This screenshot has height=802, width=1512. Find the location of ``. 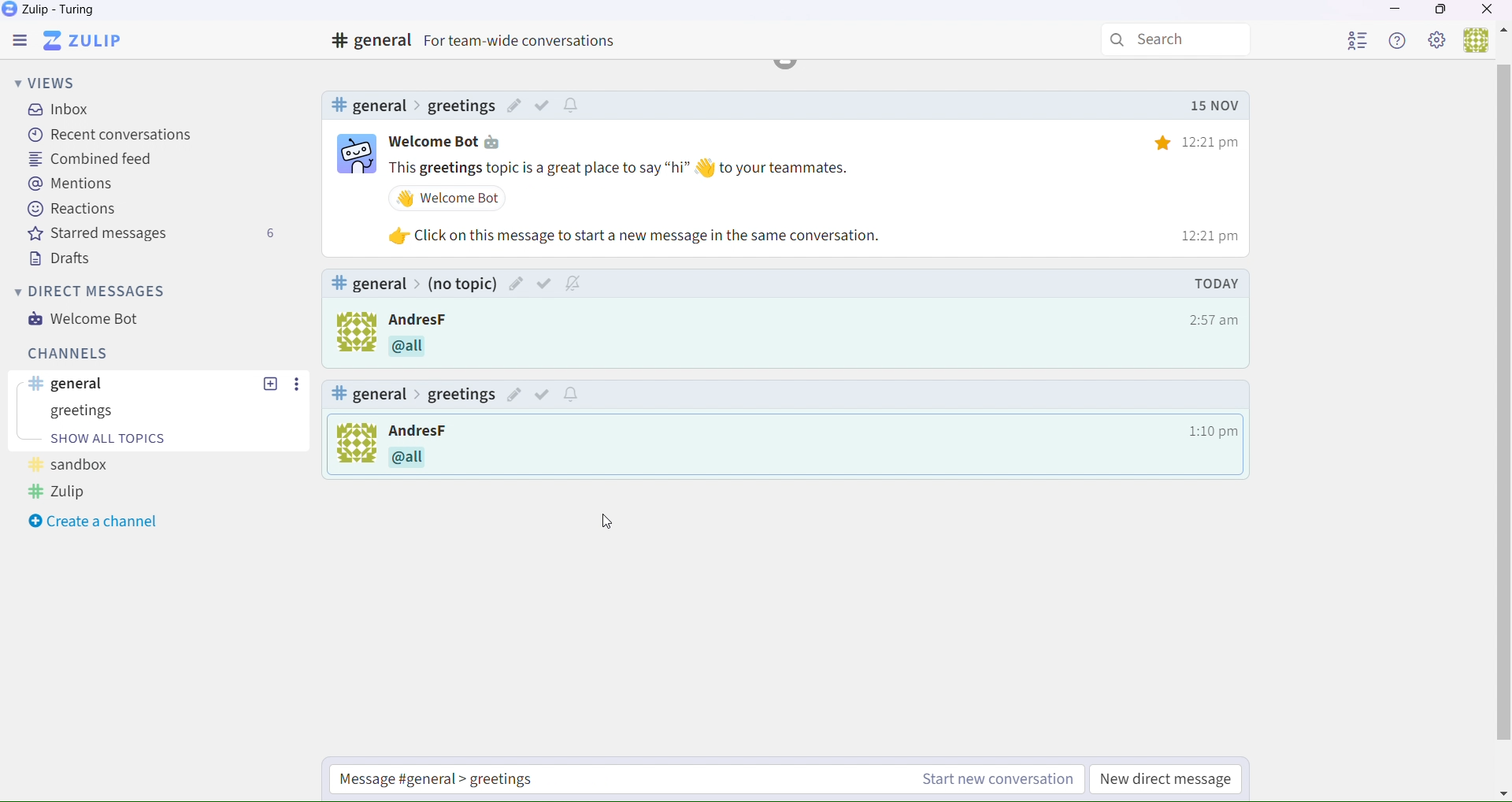

 is located at coordinates (450, 198).